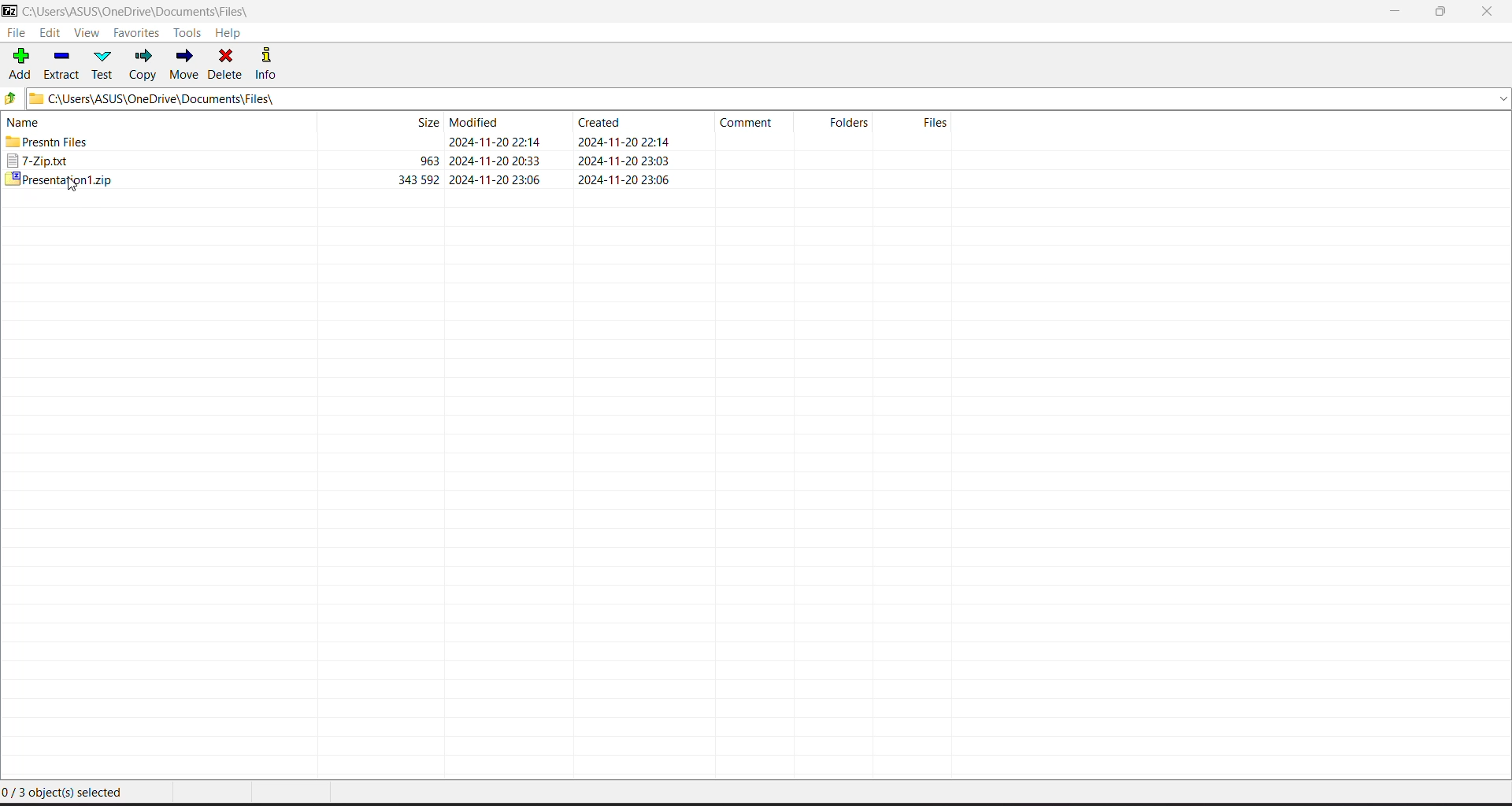 Image resolution: width=1512 pixels, height=806 pixels. Describe the element at coordinates (1490, 12) in the screenshot. I see `Close` at that location.